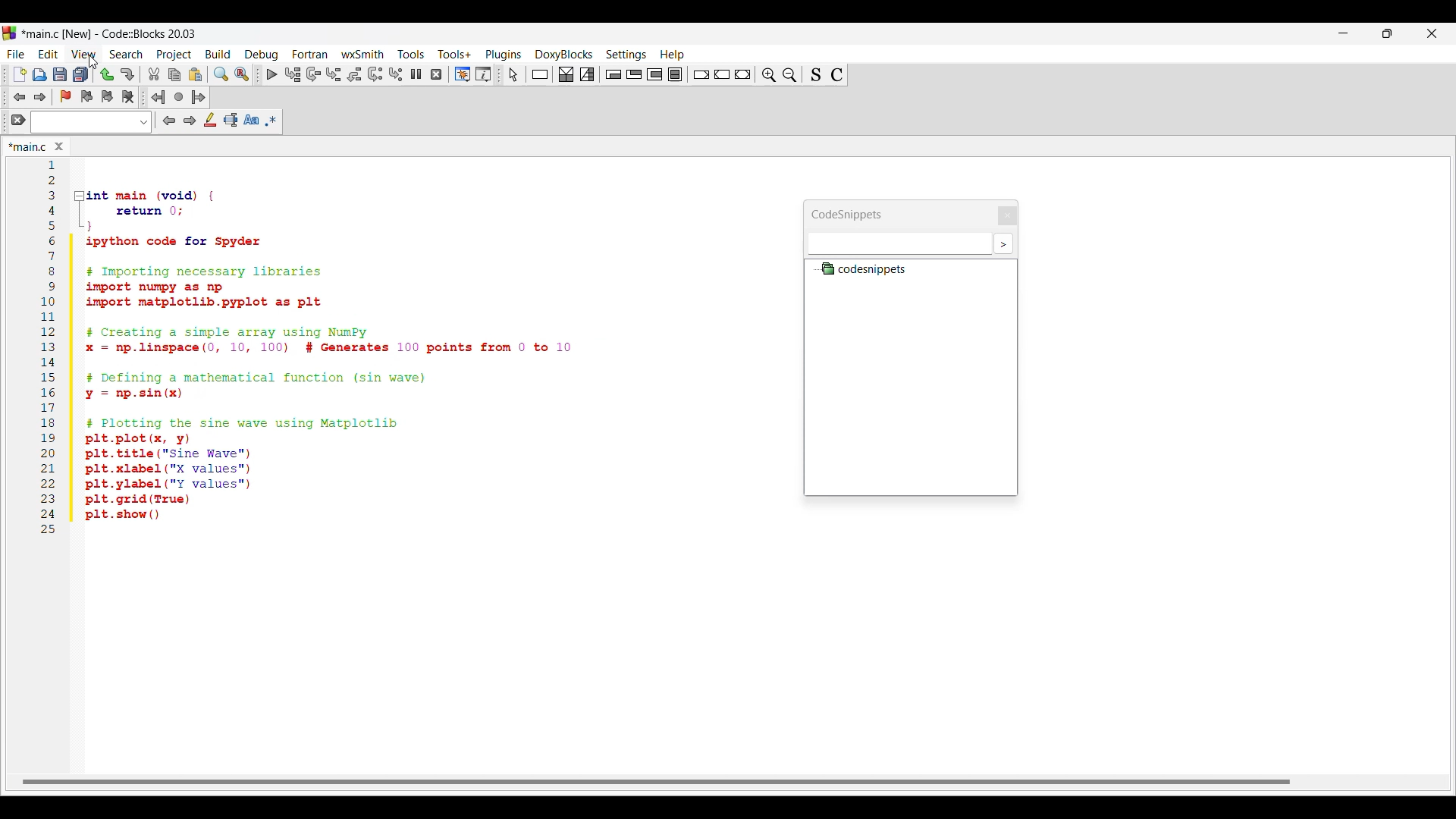  What do you see at coordinates (210, 119) in the screenshot?
I see `Highlight` at bounding box center [210, 119].